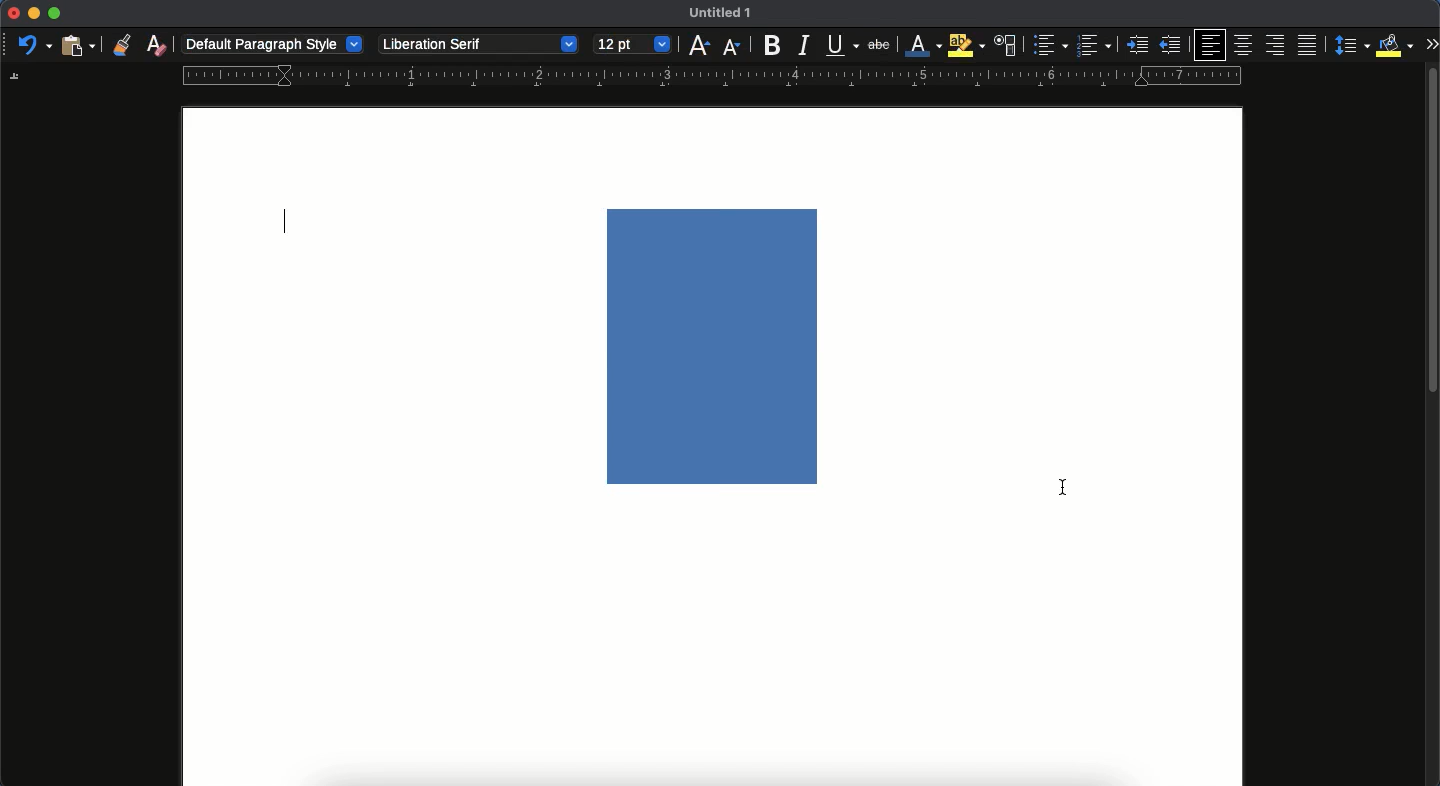  I want to click on close, so click(11, 12).